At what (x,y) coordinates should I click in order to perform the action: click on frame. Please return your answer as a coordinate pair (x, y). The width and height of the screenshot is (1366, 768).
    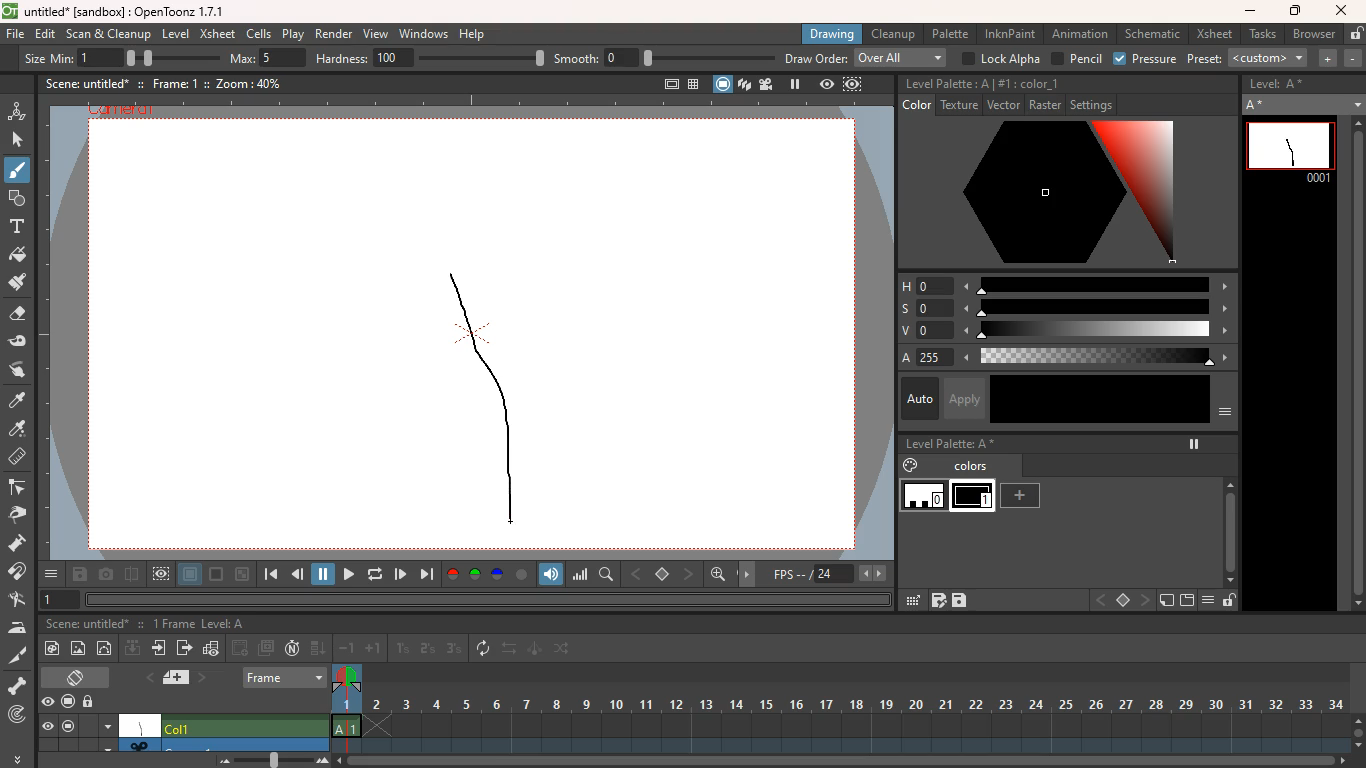
    Looking at the image, I should click on (852, 86).